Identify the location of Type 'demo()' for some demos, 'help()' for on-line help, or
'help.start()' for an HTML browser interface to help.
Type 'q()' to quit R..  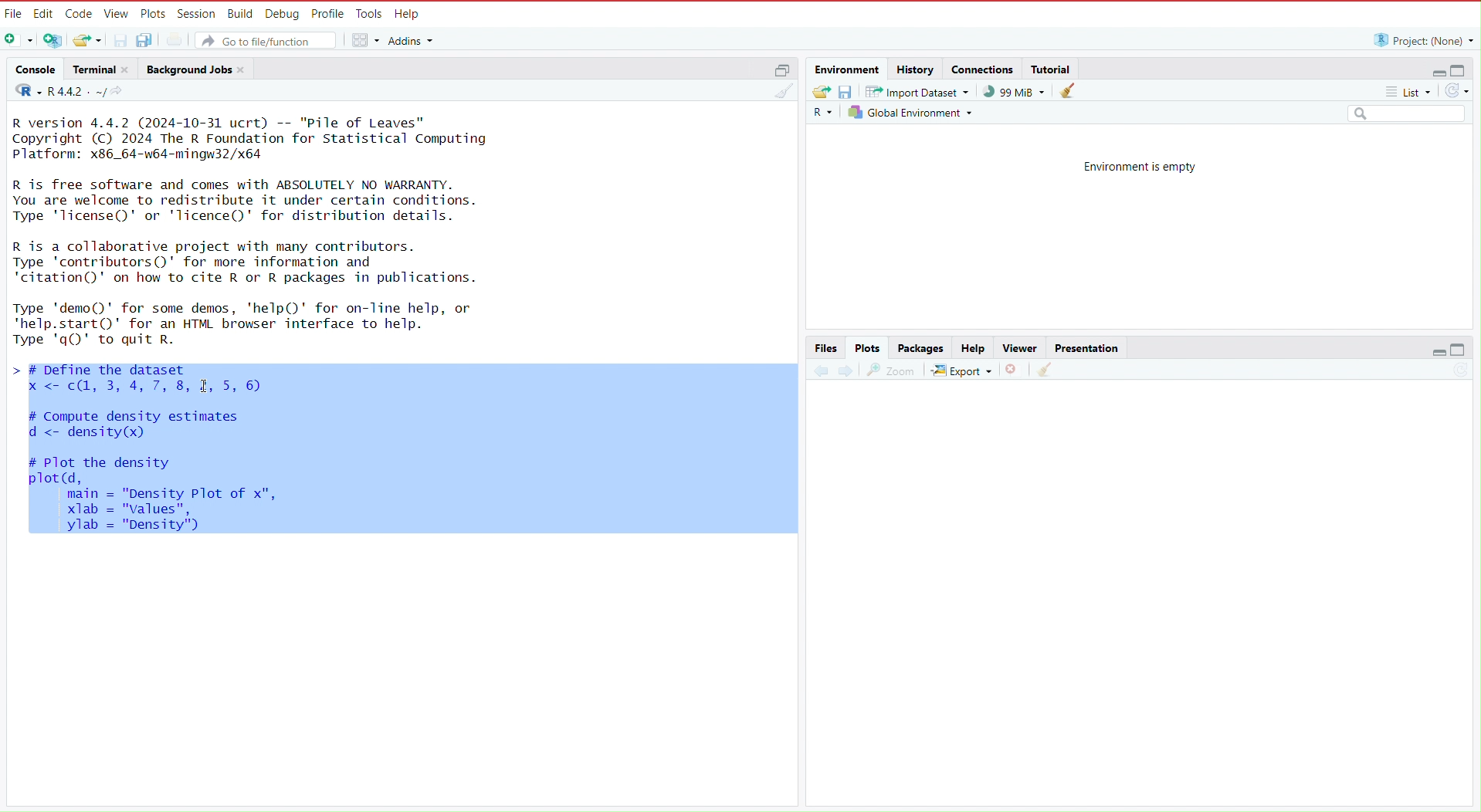
(256, 323).